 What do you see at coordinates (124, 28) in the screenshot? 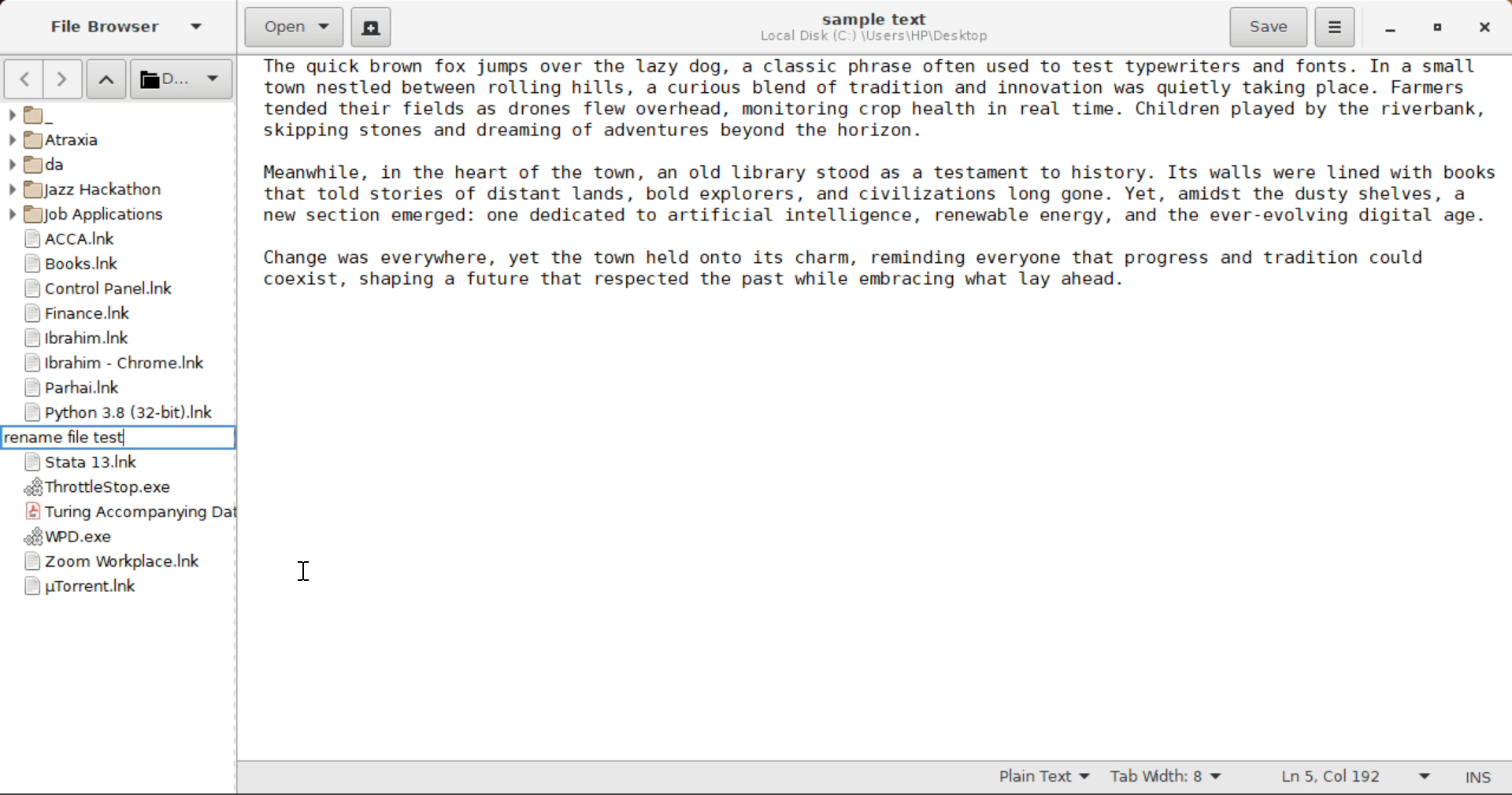
I see `File Browser Tab` at bounding box center [124, 28].